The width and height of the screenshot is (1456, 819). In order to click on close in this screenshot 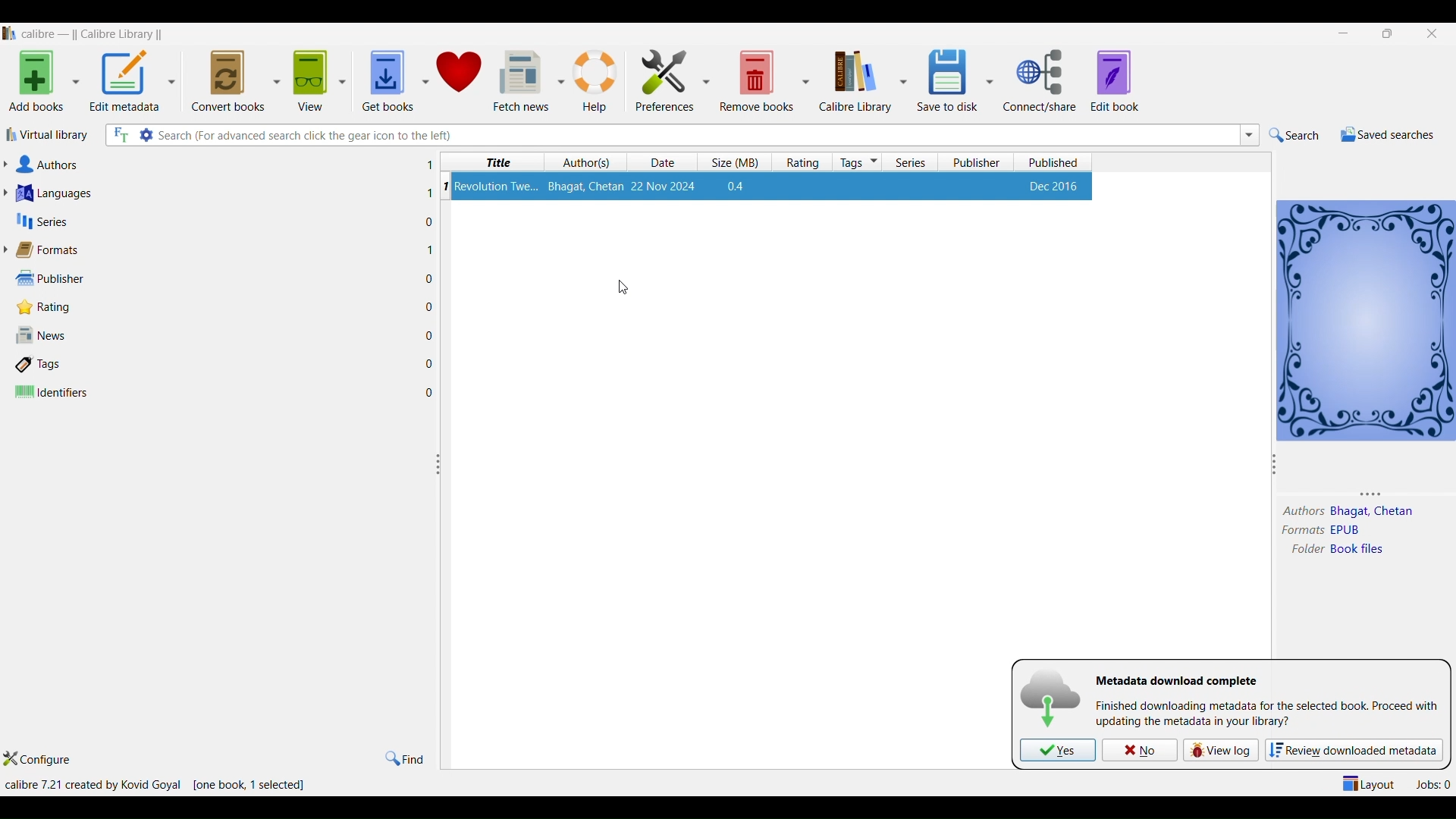, I will do `click(1436, 35)`.